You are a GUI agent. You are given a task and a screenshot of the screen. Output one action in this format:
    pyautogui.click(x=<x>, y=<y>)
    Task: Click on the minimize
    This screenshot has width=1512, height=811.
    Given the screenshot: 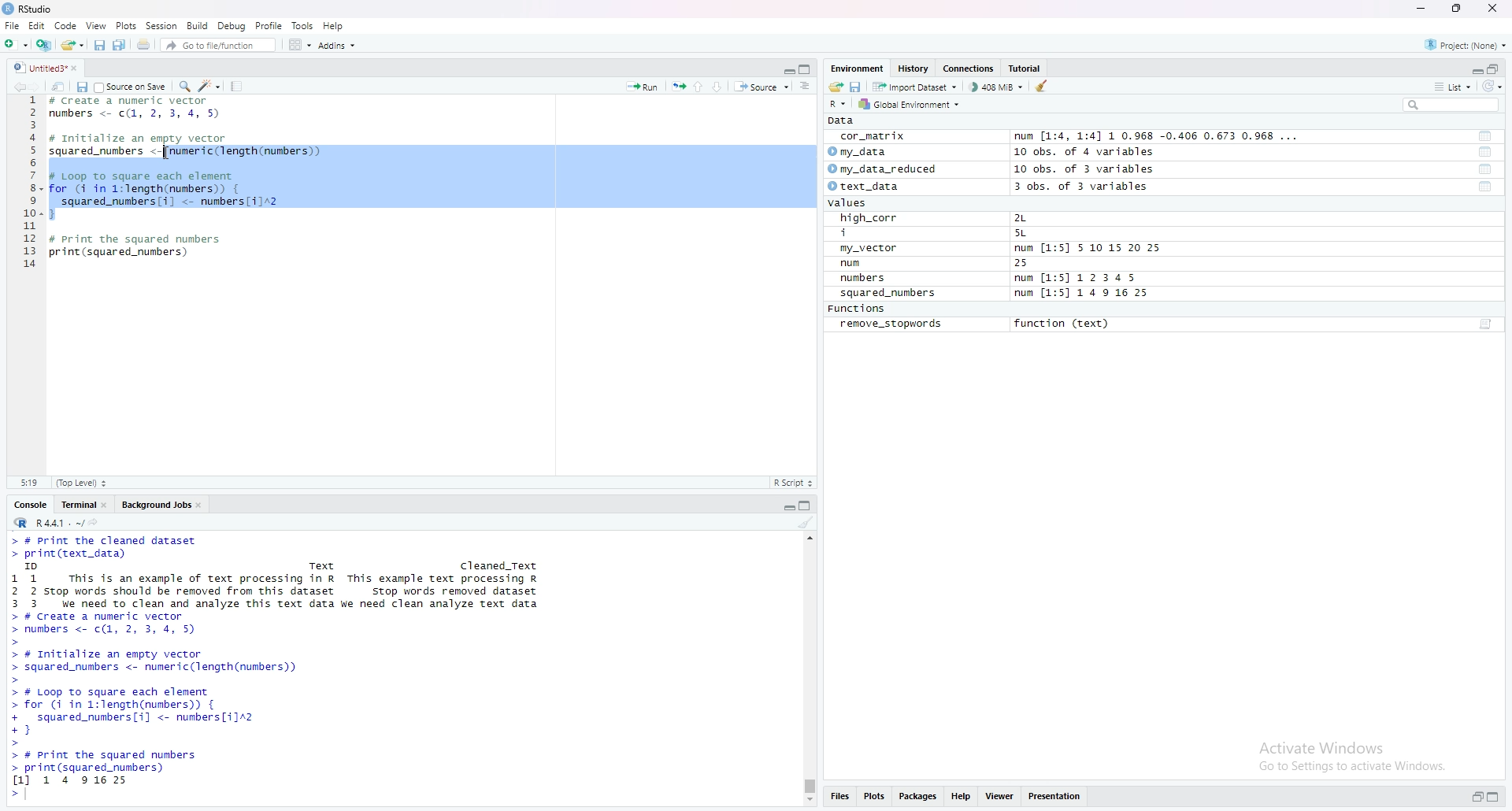 What is the action you would take?
    pyautogui.click(x=787, y=68)
    